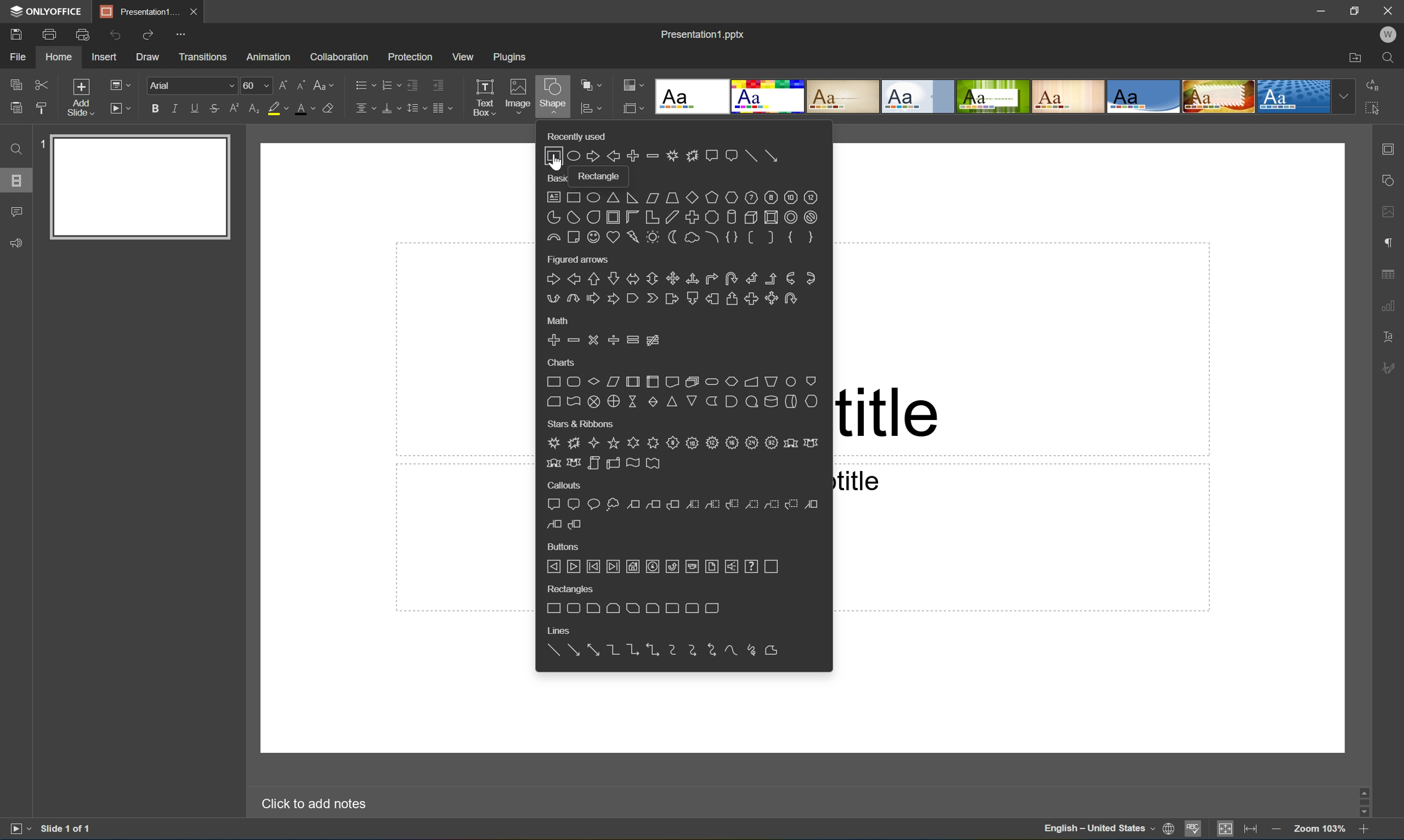 This screenshot has width=1404, height=840. I want to click on Zoom out, so click(1275, 829).